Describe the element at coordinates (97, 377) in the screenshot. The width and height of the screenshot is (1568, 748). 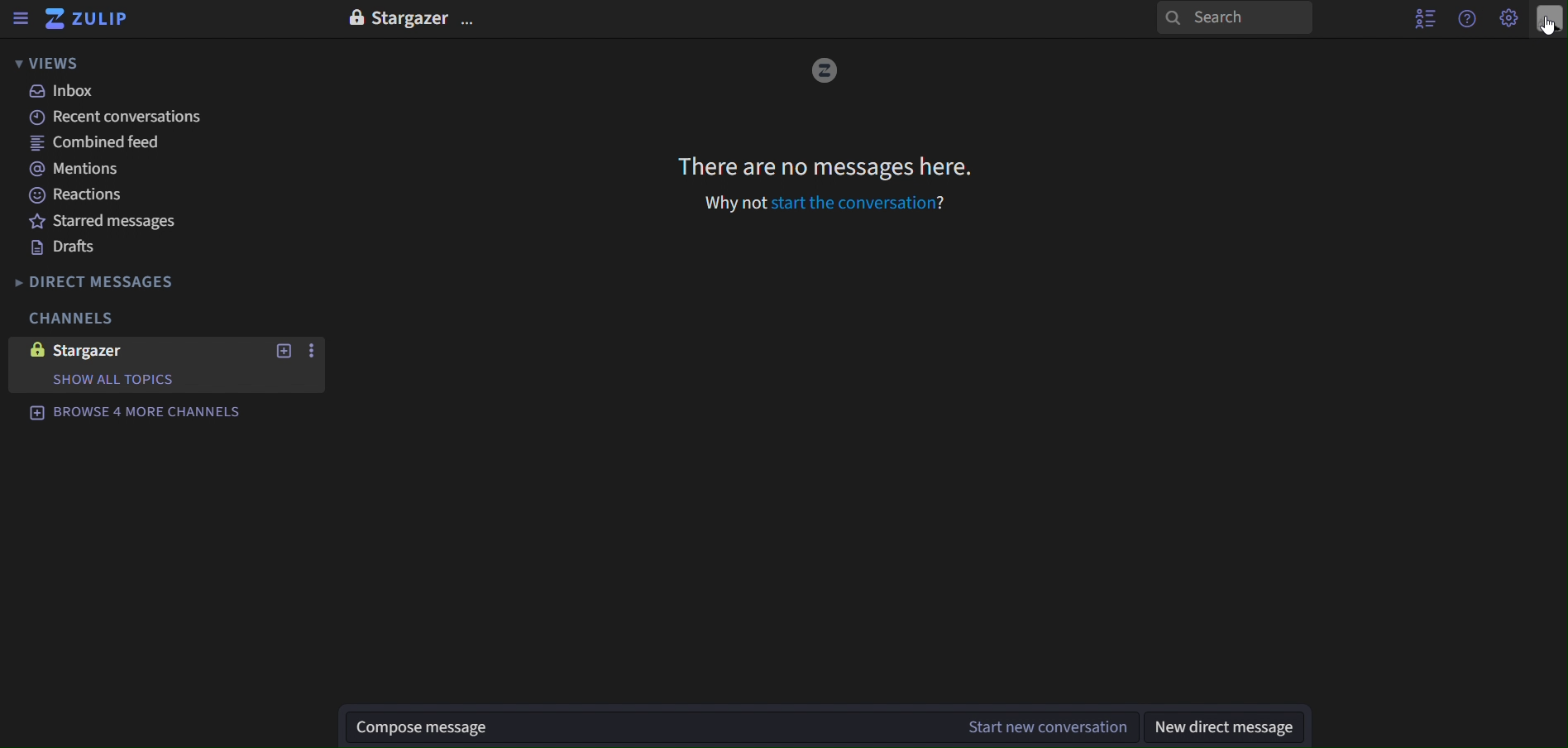
I see `show all topics` at that location.